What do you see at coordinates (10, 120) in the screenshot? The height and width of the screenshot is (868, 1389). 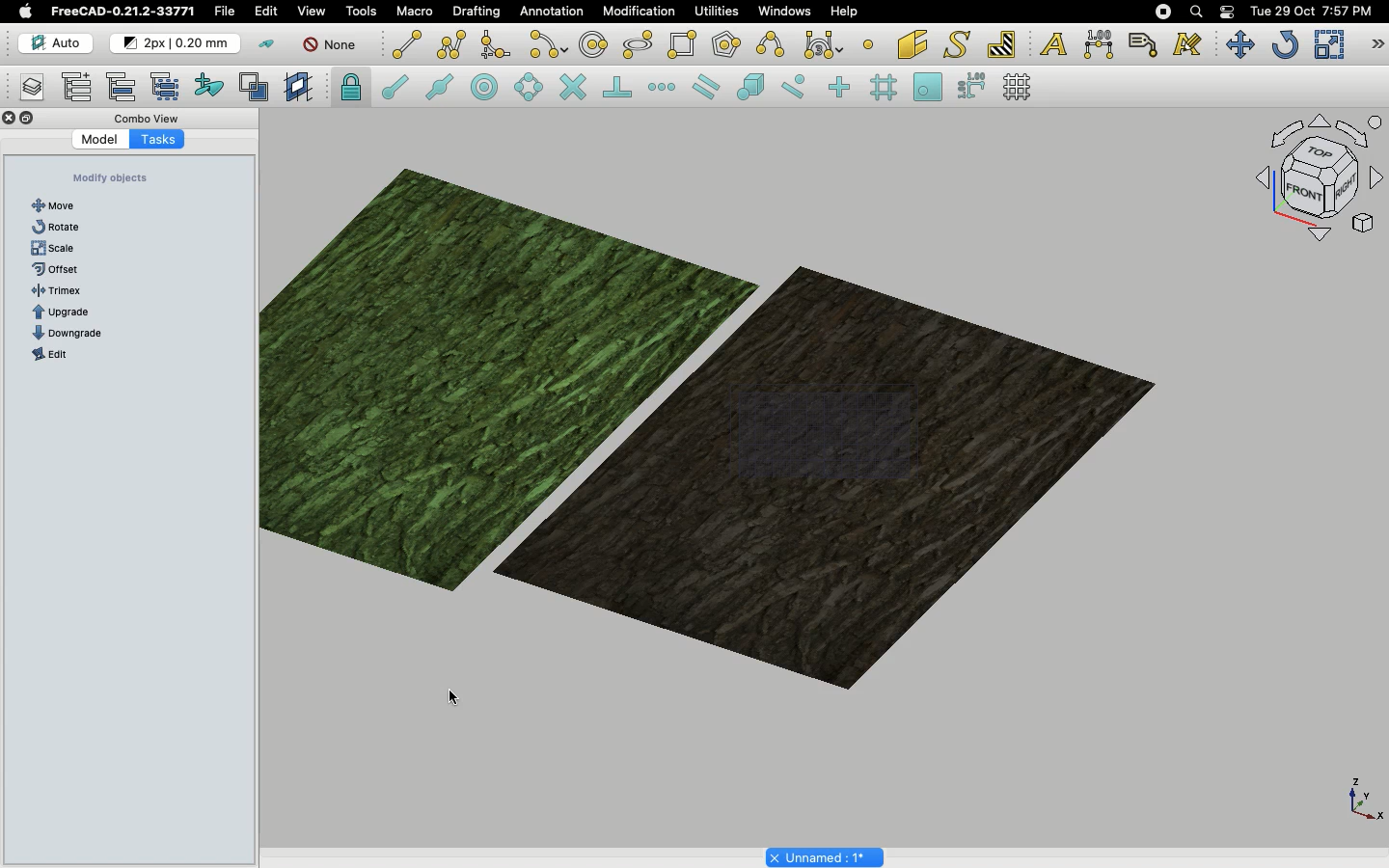 I see `Close` at bounding box center [10, 120].